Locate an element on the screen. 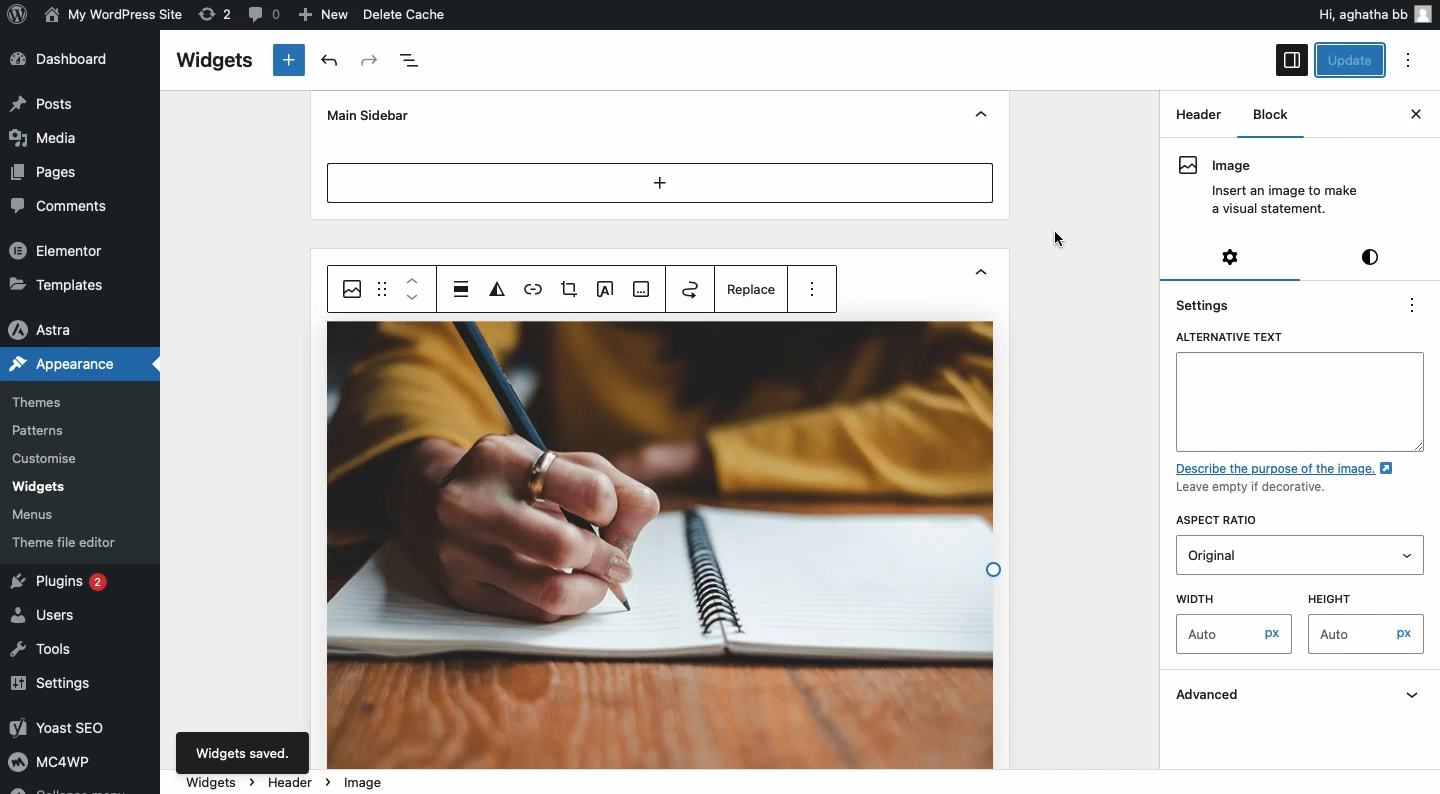 This screenshot has height=794, width=1440. Move up down is located at coordinates (413, 289).